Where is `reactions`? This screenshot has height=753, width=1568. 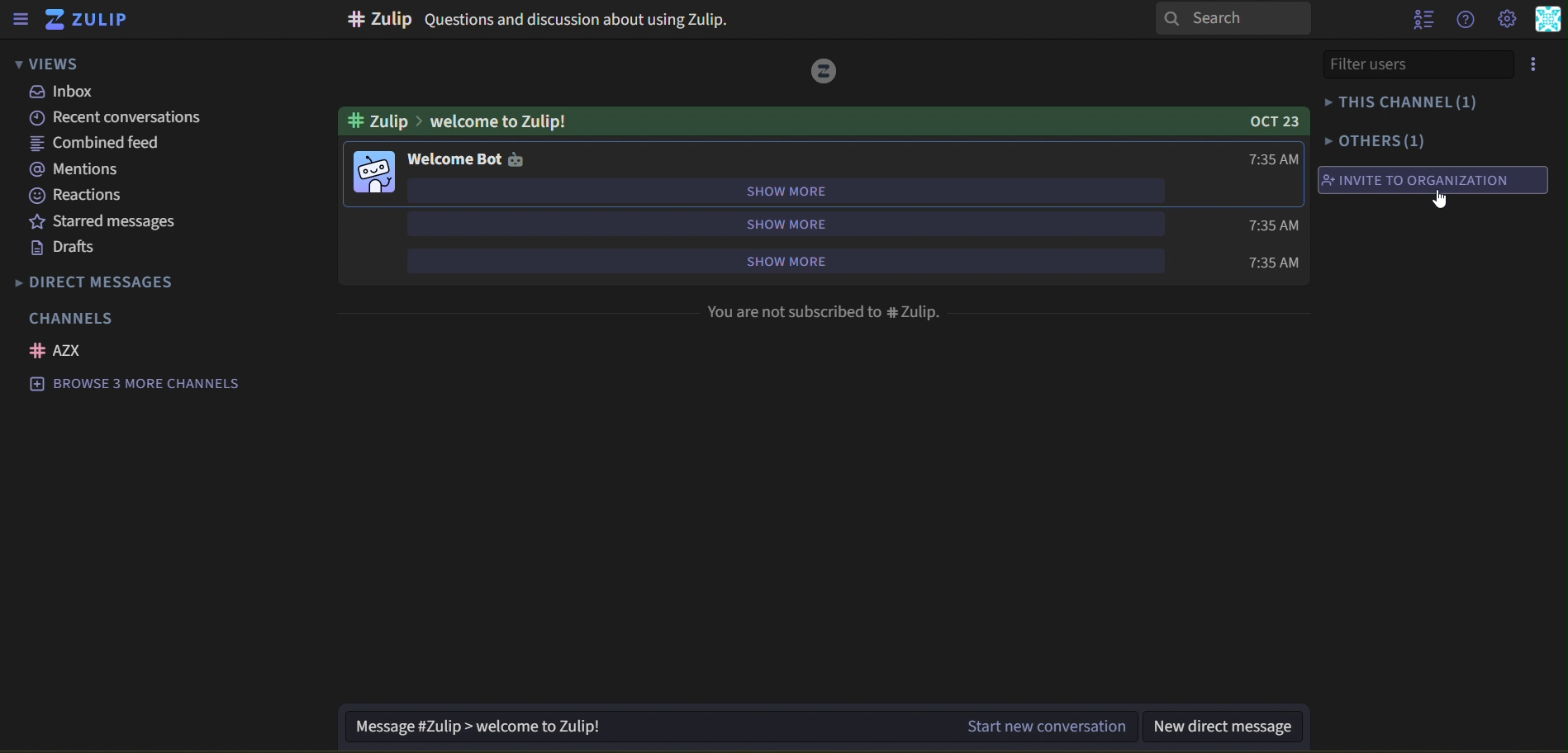
reactions is located at coordinates (87, 196).